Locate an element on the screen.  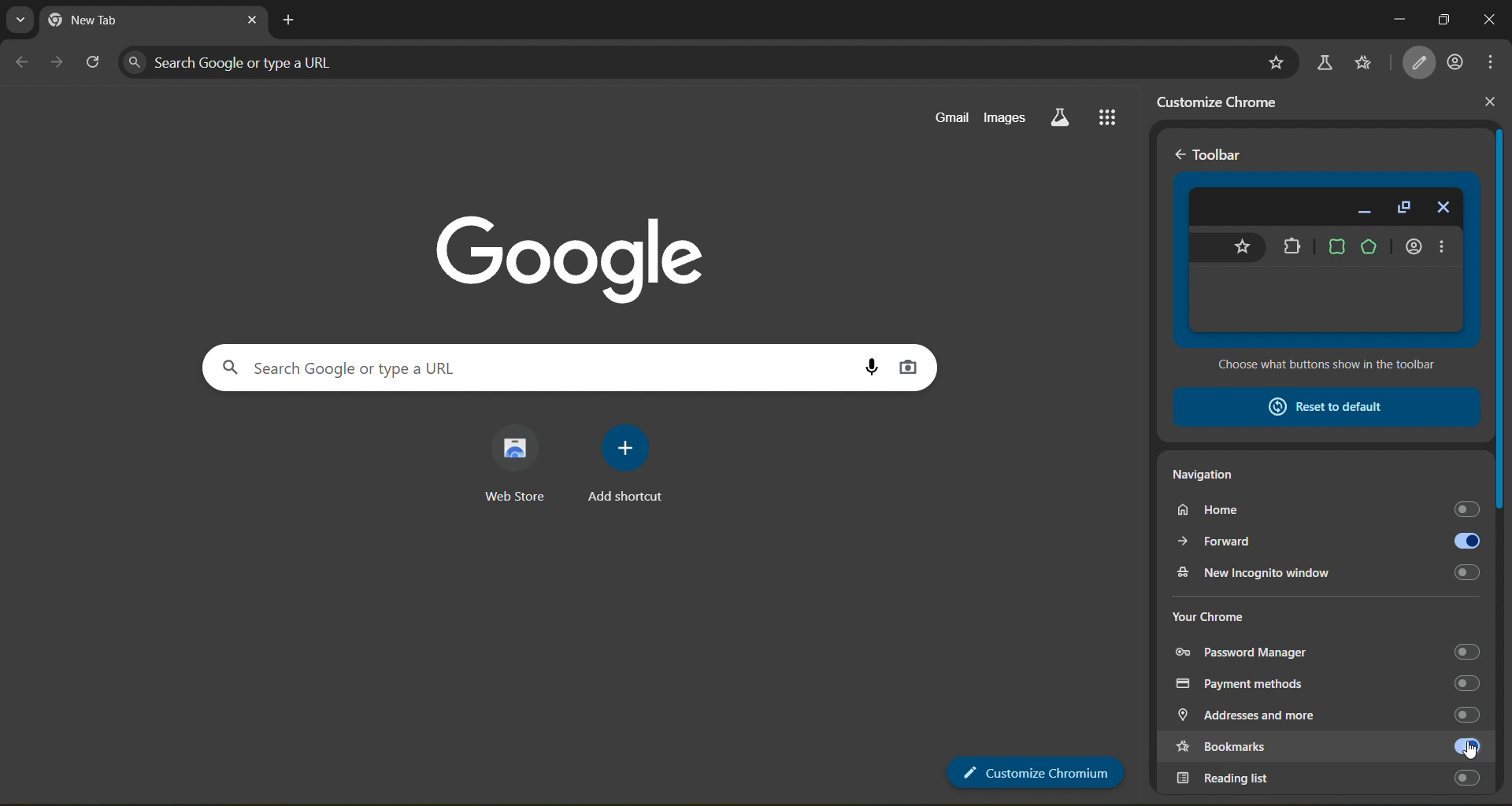
new incognito window is located at coordinates (1331, 571).